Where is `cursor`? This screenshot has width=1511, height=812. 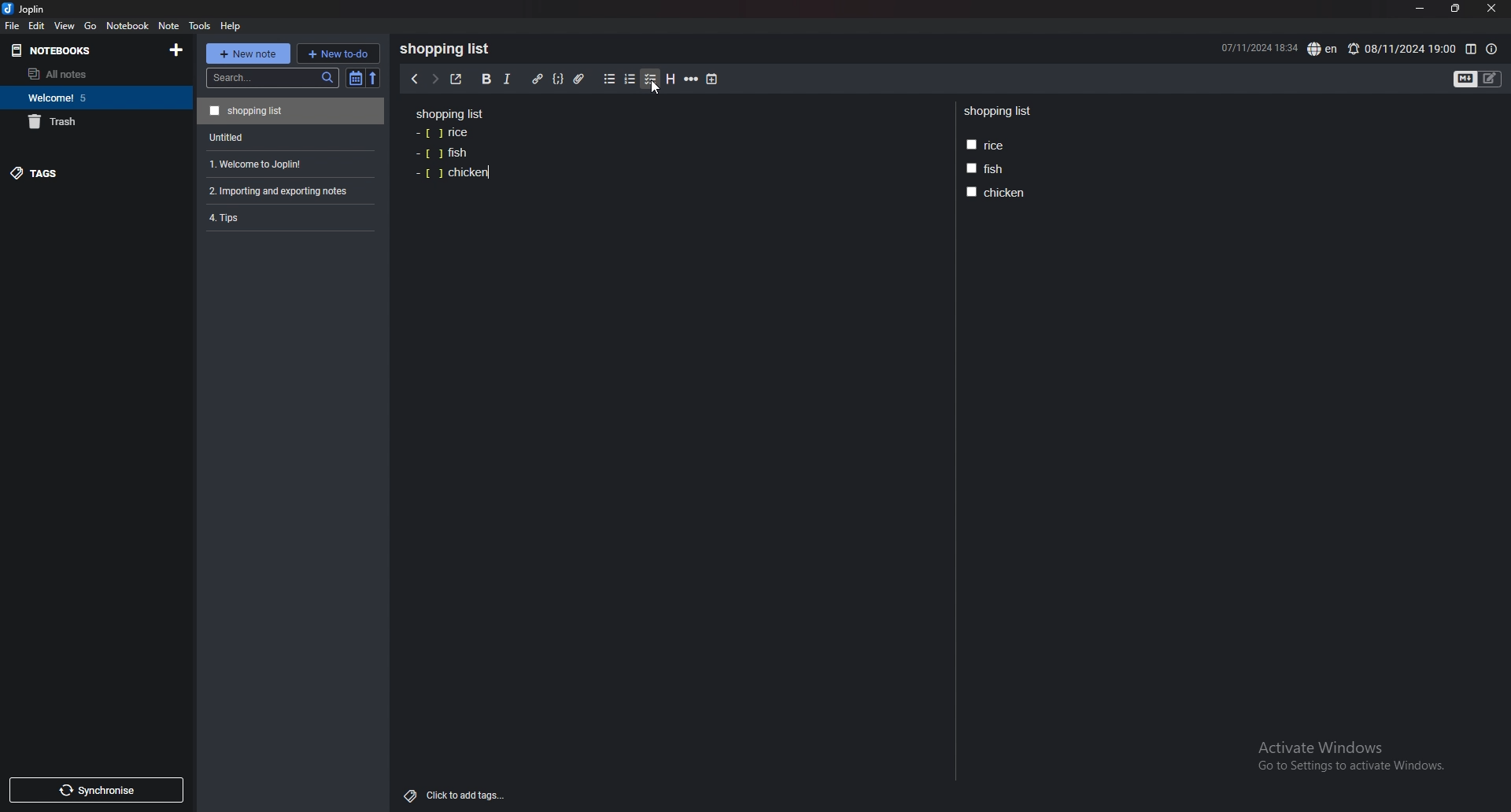 cursor is located at coordinates (655, 88).